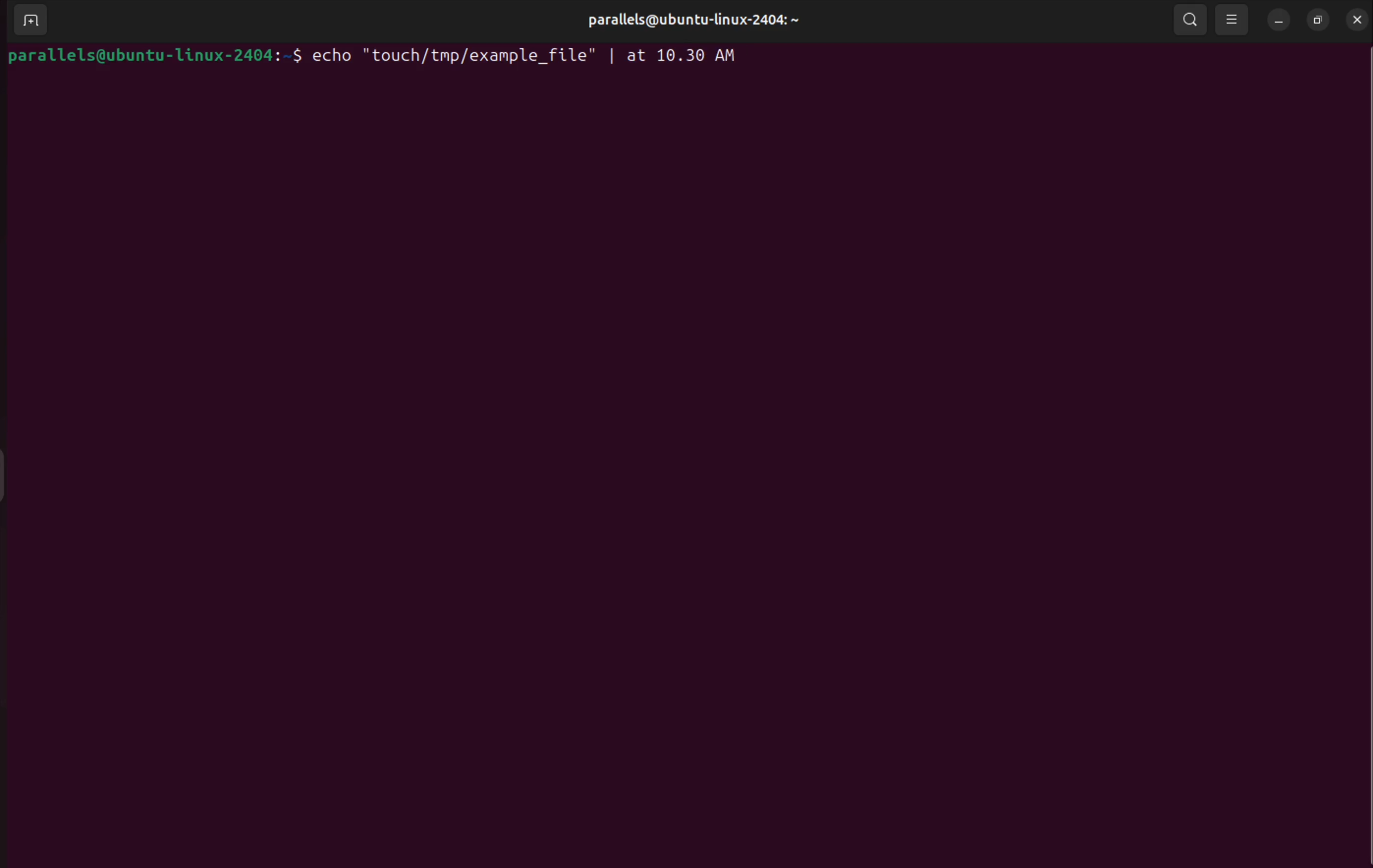 This screenshot has height=868, width=1373. Describe the element at coordinates (1279, 22) in the screenshot. I see `minimize` at that location.